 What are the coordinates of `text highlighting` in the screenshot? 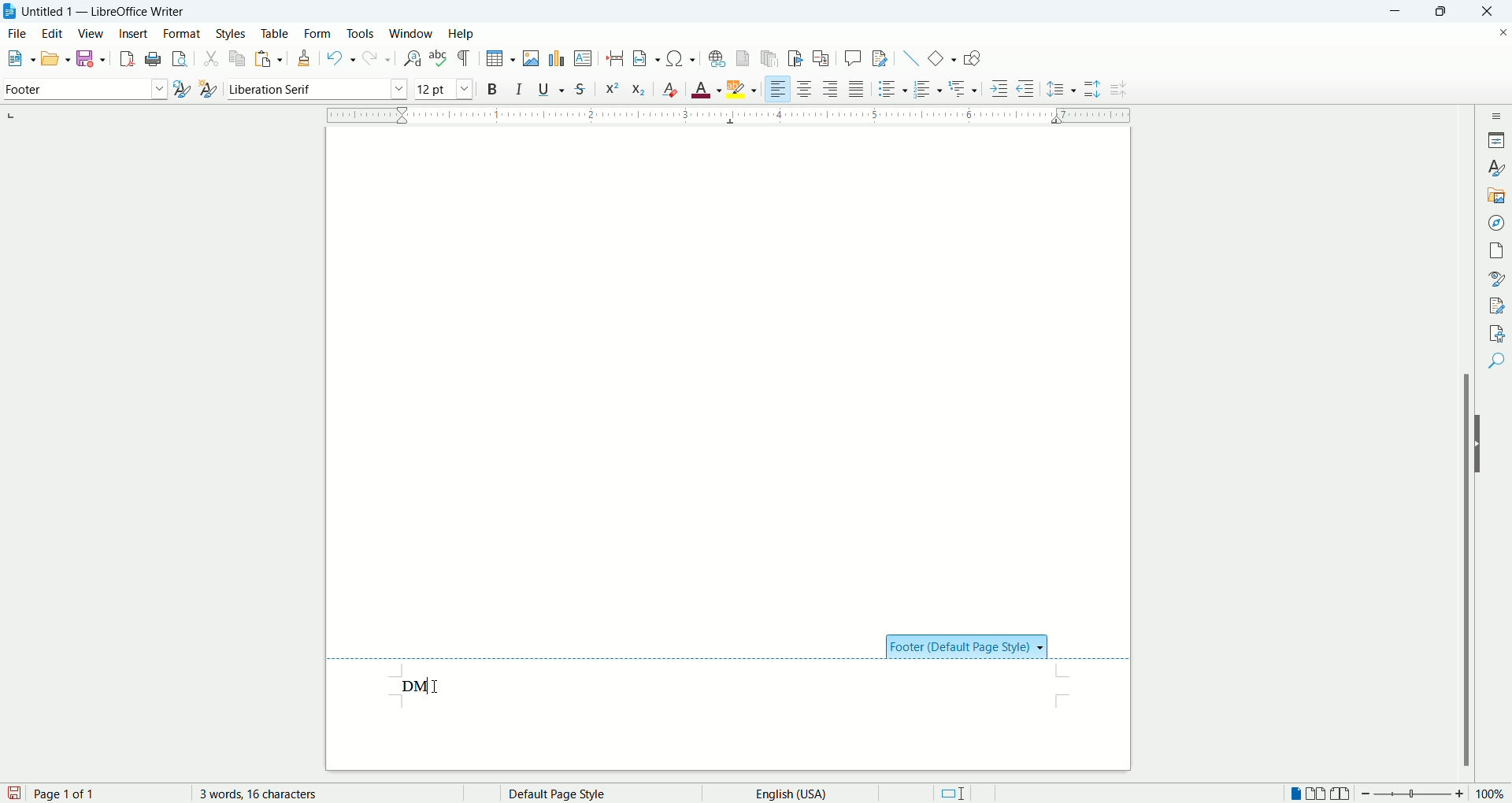 It's located at (743, 90).